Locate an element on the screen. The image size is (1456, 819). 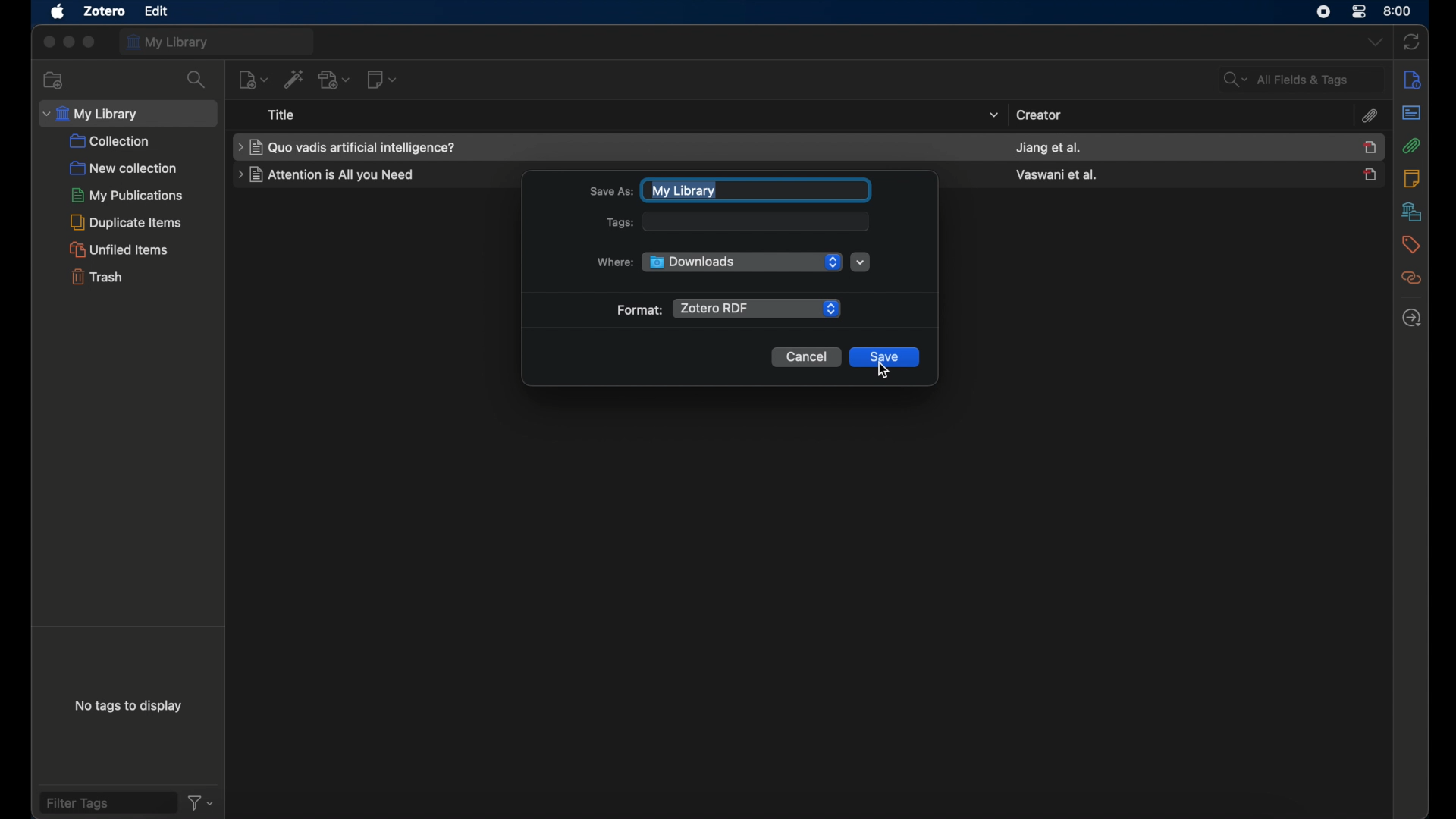
cursor is located at coordinates (887, 372).